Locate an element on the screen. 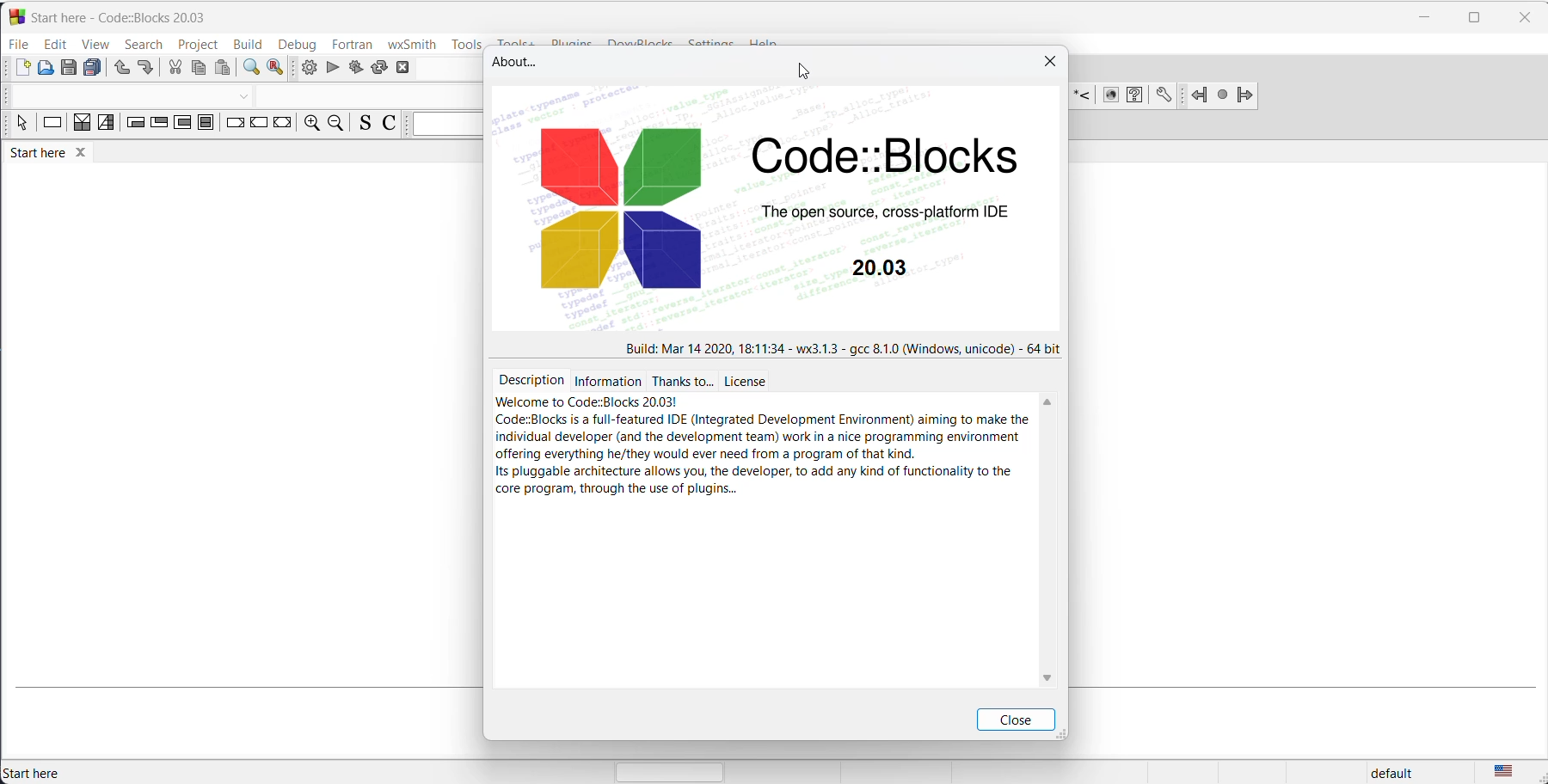 The image size is (1548, 784). block instruction is located at coordinates (208, 125).